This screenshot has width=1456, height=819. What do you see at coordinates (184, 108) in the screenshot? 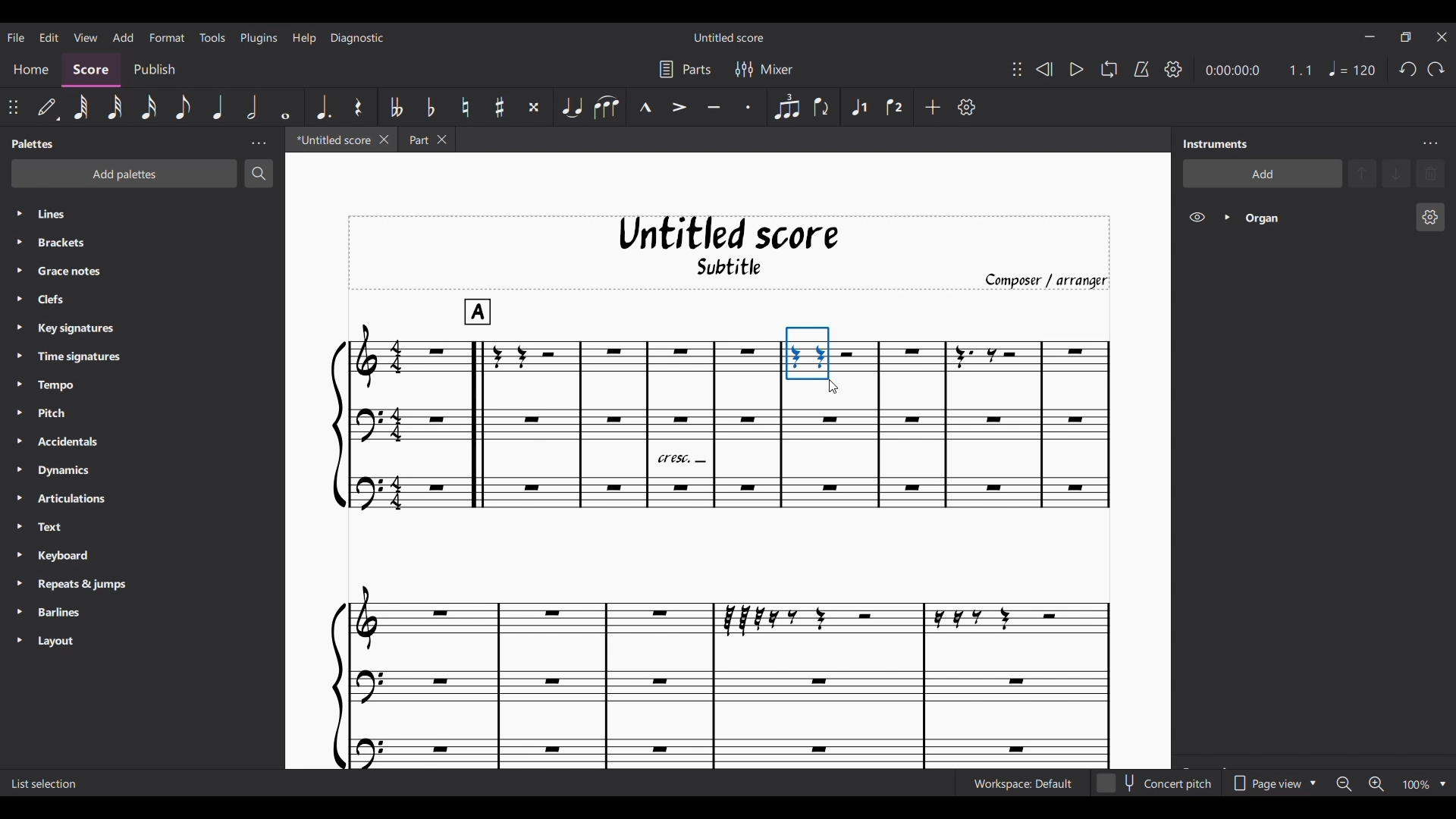
I see `8th note` at bounding box center [184, 108].